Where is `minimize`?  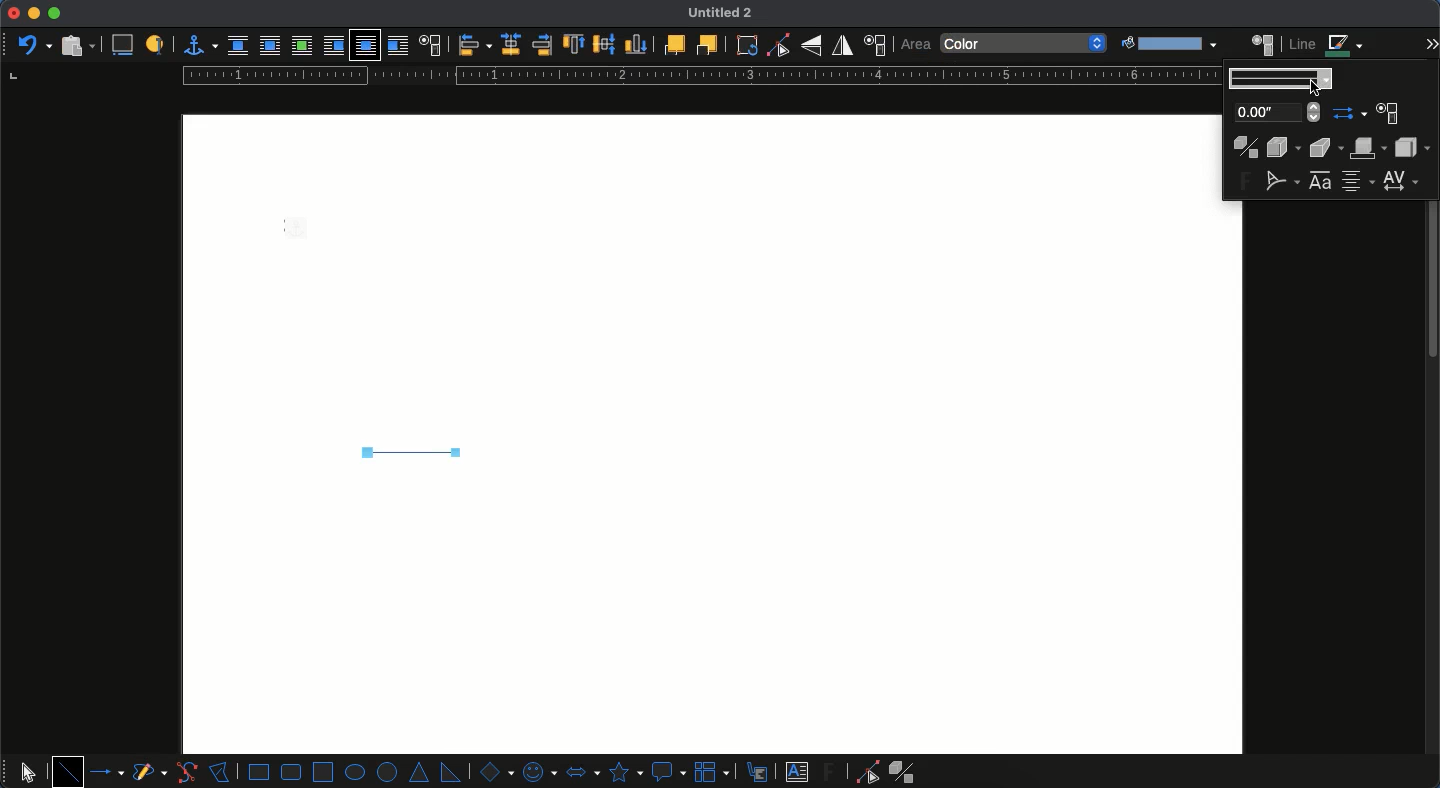
minimize is located at coordinates (34, 13).